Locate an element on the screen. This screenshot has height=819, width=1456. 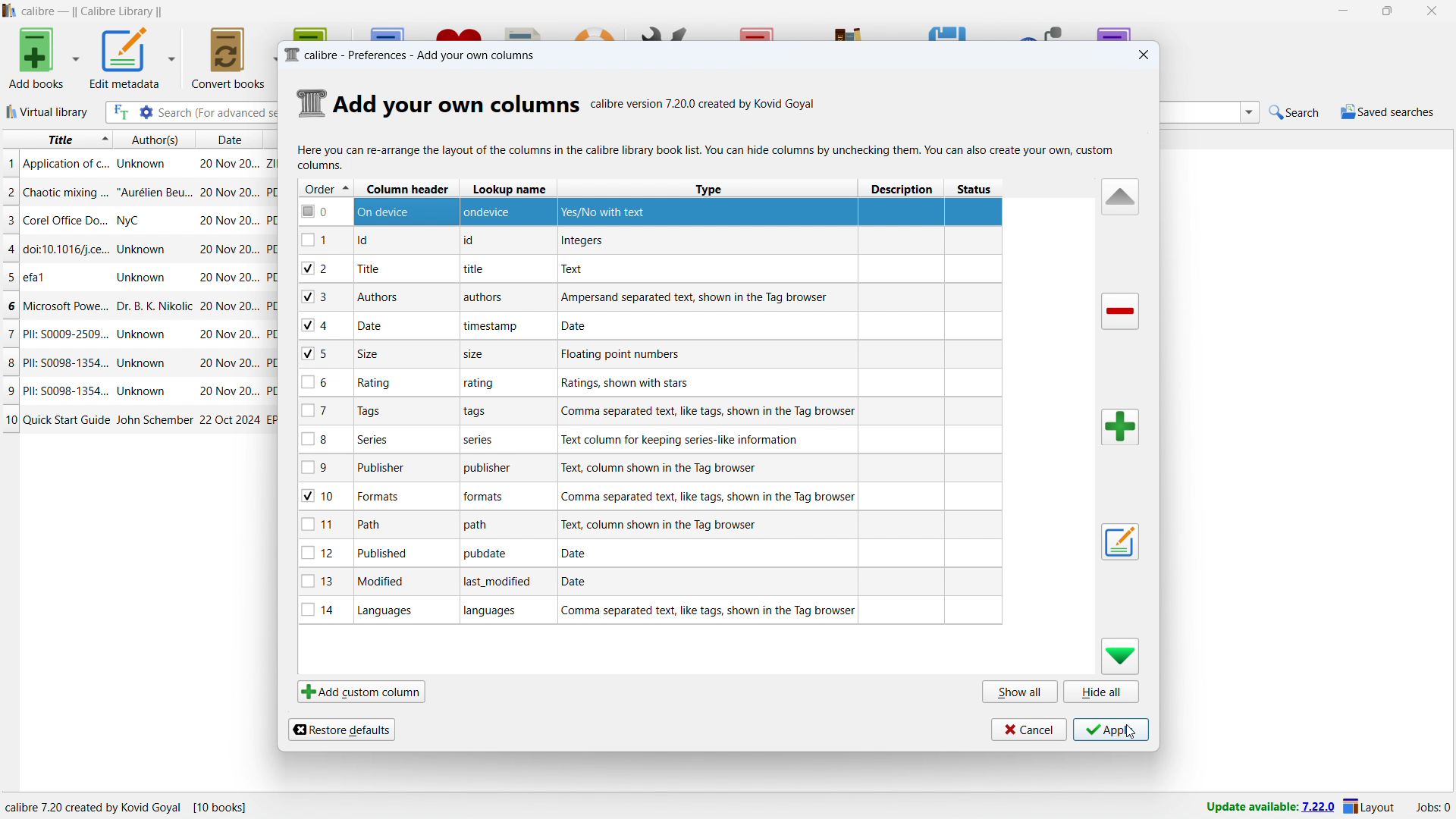
9 is located at coordinates (320, 468).